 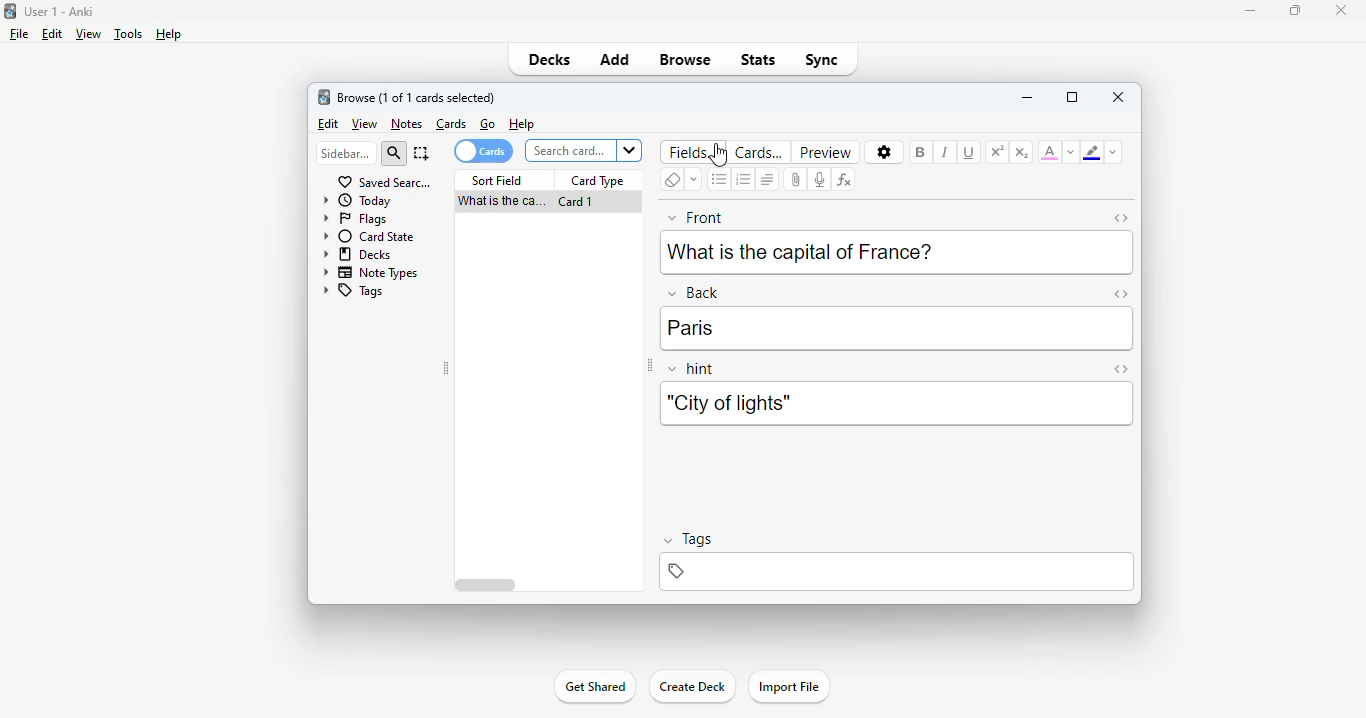 What do you see at coordinates (1091, 152) in the screenshot?
I see `text highlighting color` at bounding box center [1091, 152].